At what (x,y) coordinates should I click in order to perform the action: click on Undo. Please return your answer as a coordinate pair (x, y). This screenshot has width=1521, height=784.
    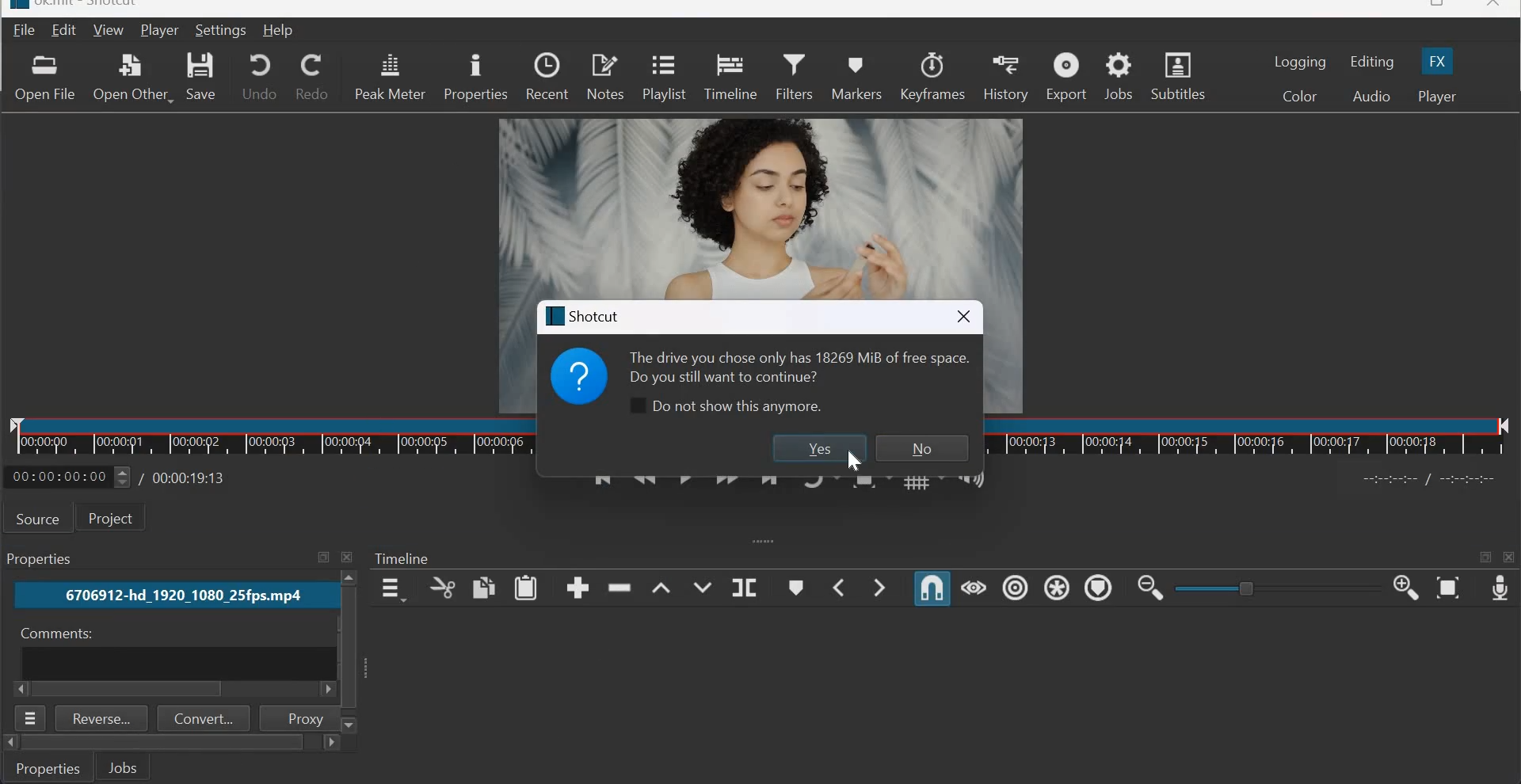
    Looking at the image, I should click on (260, 75).